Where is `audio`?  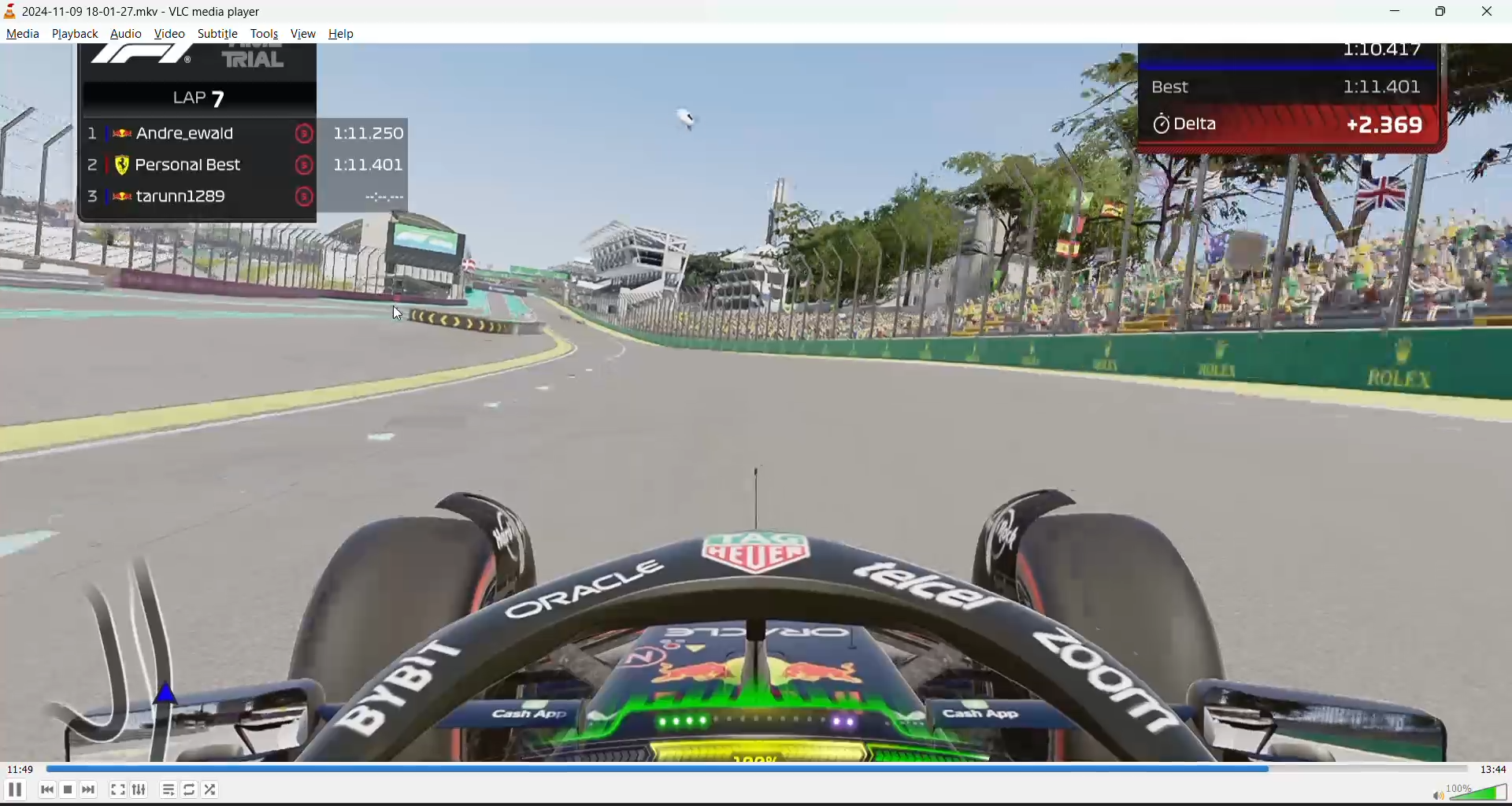
audio is located at coordinates (130, 35).